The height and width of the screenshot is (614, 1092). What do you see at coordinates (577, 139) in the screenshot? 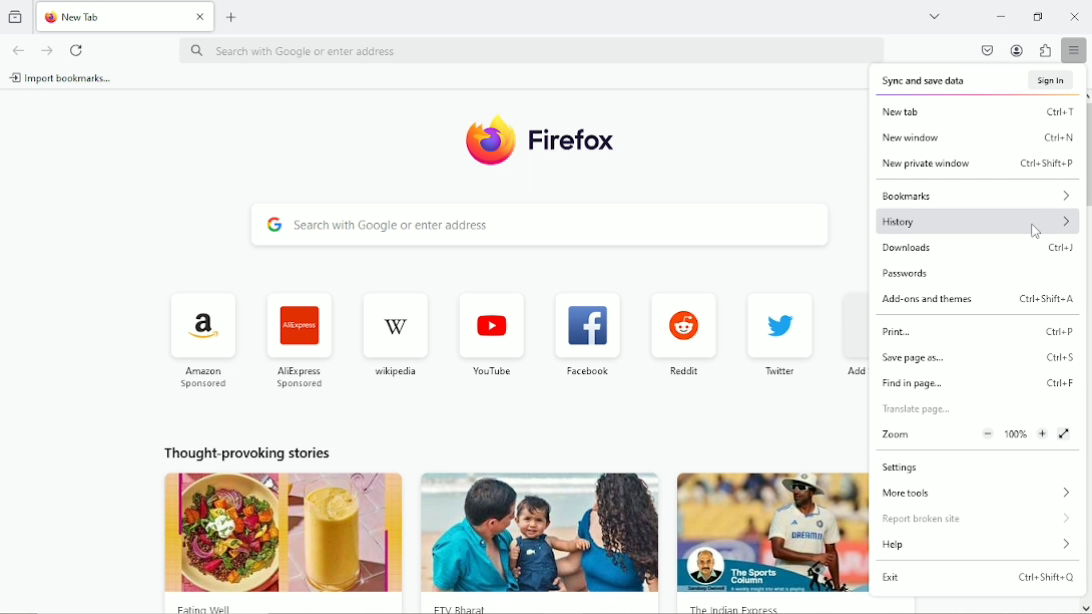
I see `Firefox` at bounding box center [577, 139].